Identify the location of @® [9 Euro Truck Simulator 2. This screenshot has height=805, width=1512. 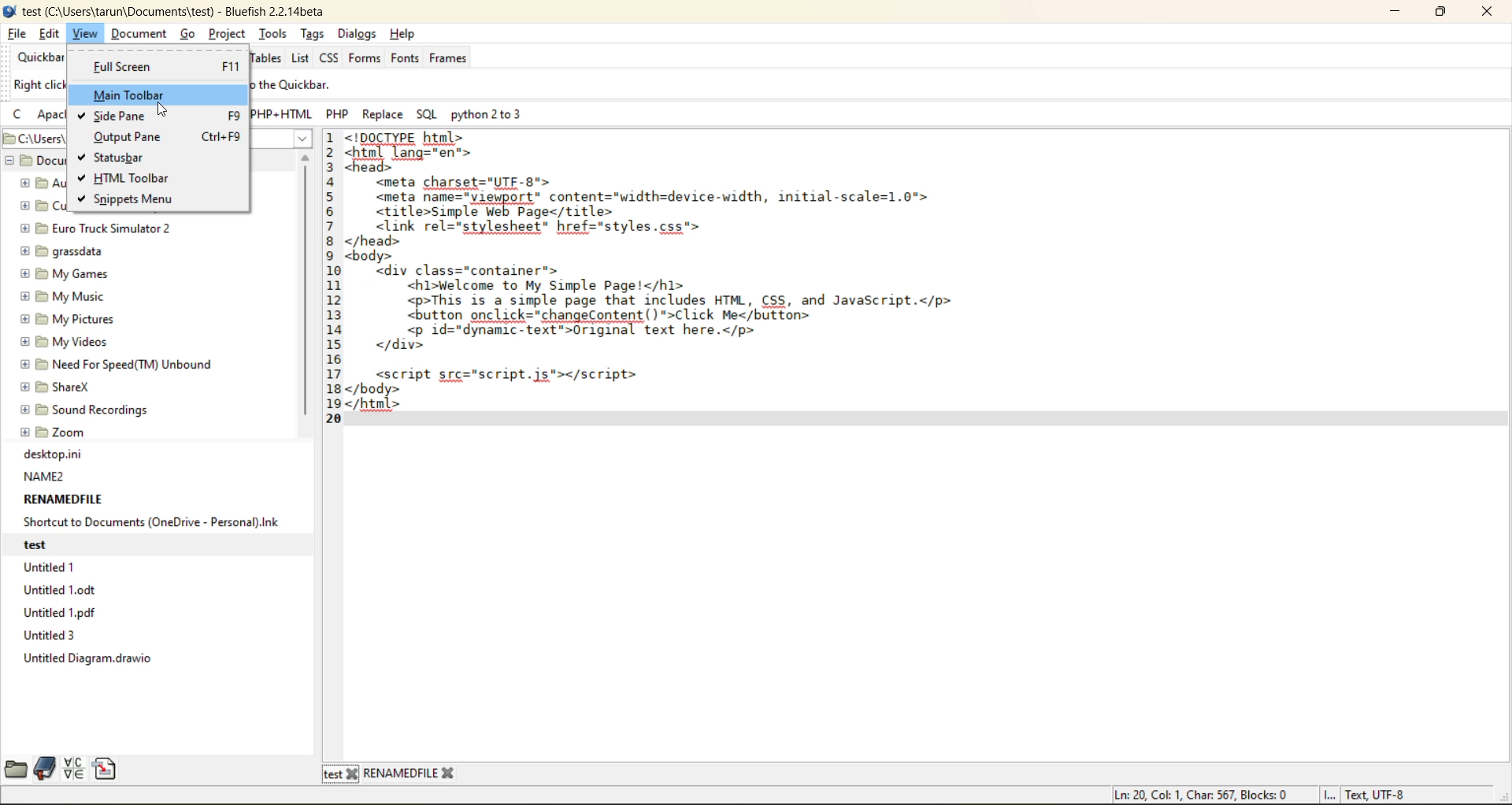
(94, 228).